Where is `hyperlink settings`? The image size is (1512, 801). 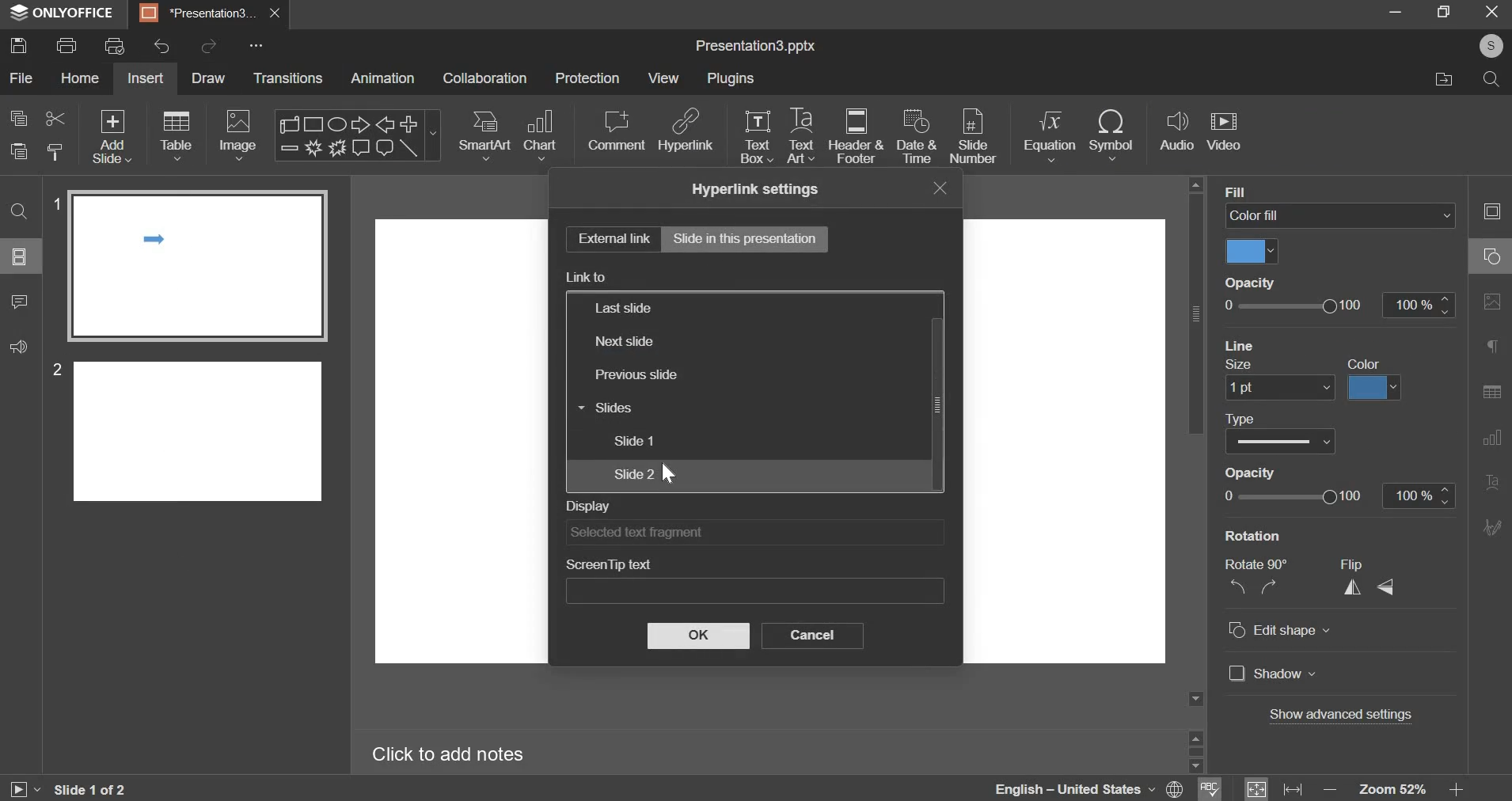
hyperlink settings is located at coordinates (754, 189).